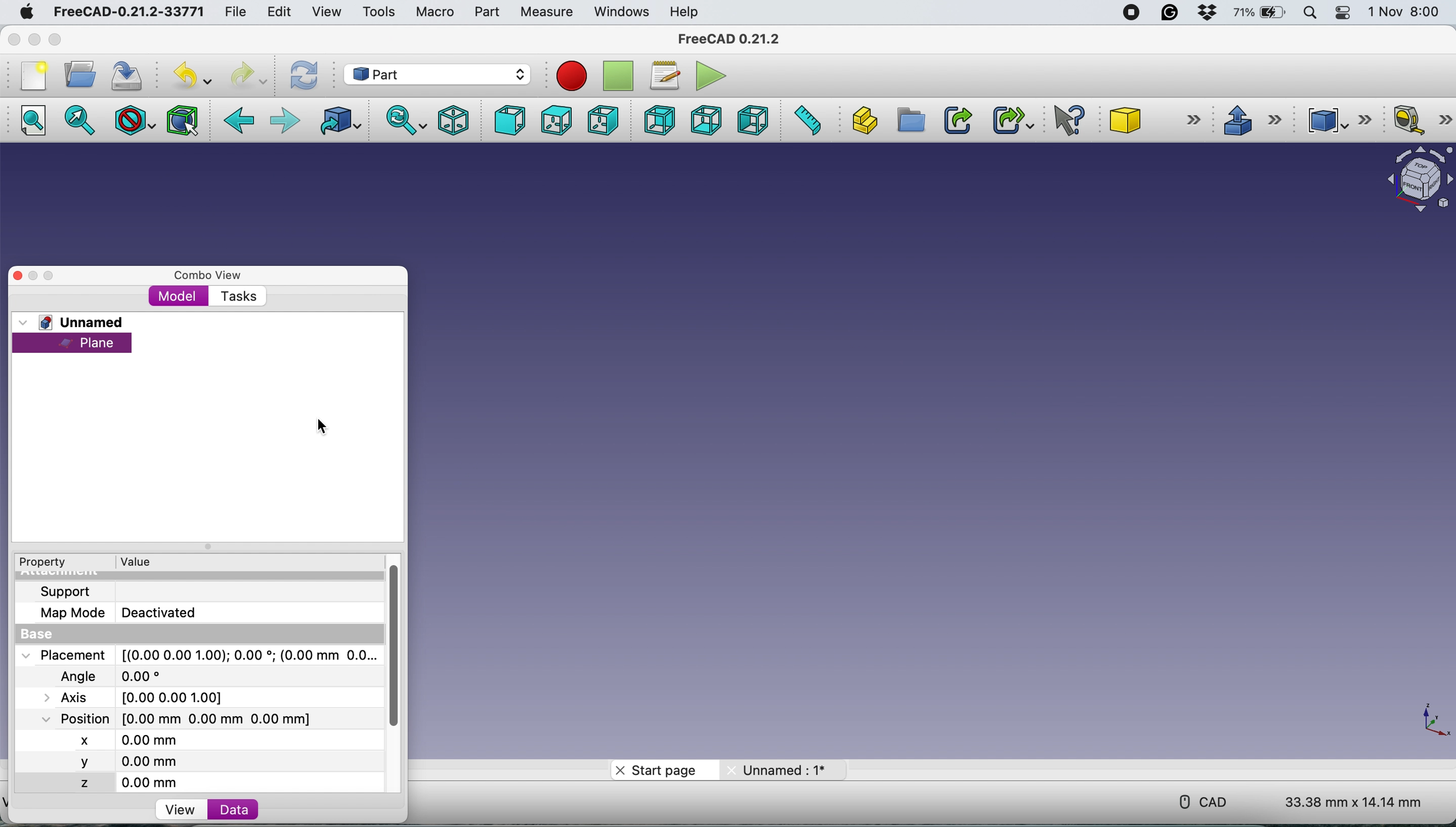 The width and height of the screenshot is (1456, 827). I want to click on redo, so click(249, 79).